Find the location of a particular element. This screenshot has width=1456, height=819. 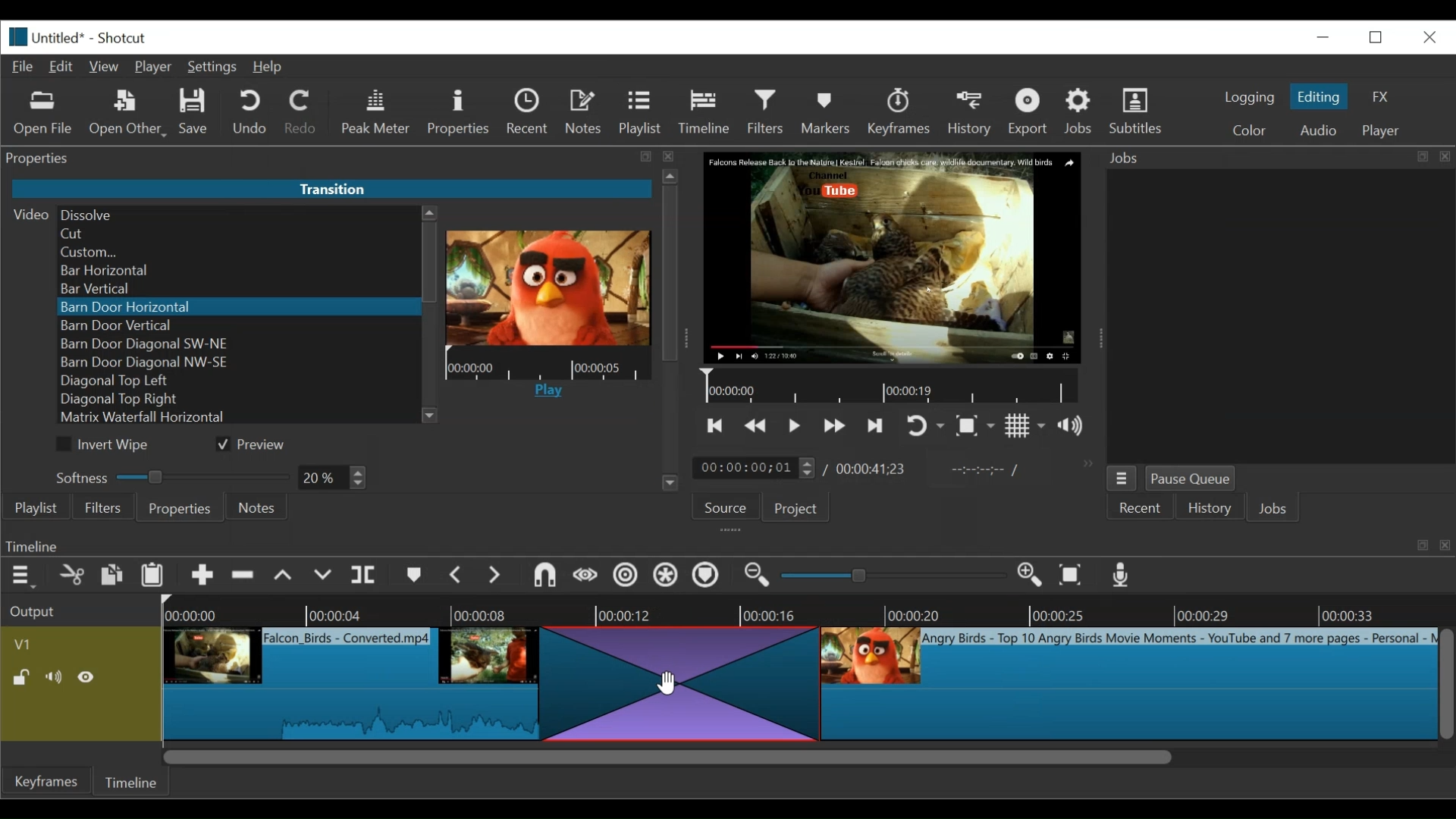

Shotcut is located at coordinates (121, 37).